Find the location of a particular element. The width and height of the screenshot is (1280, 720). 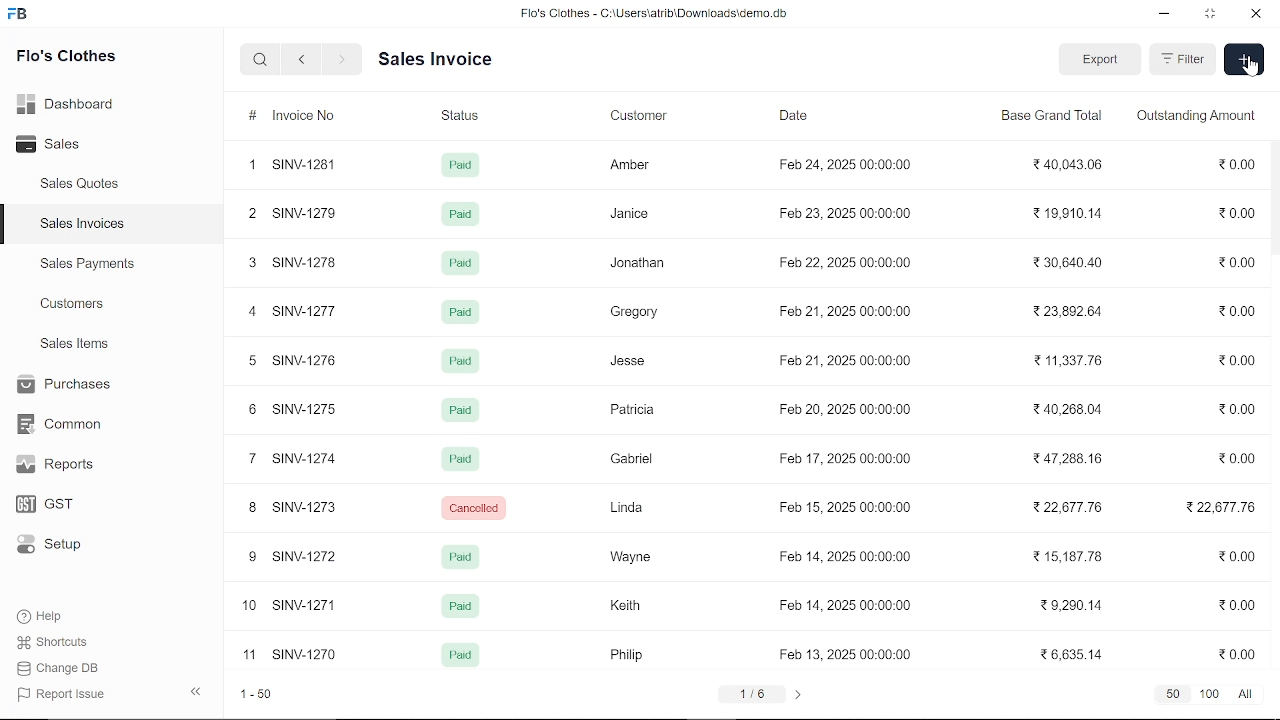

Flo's Clothes - G:AUserslatribiDownloadsidemo.do is located at coordinates (651, 13).